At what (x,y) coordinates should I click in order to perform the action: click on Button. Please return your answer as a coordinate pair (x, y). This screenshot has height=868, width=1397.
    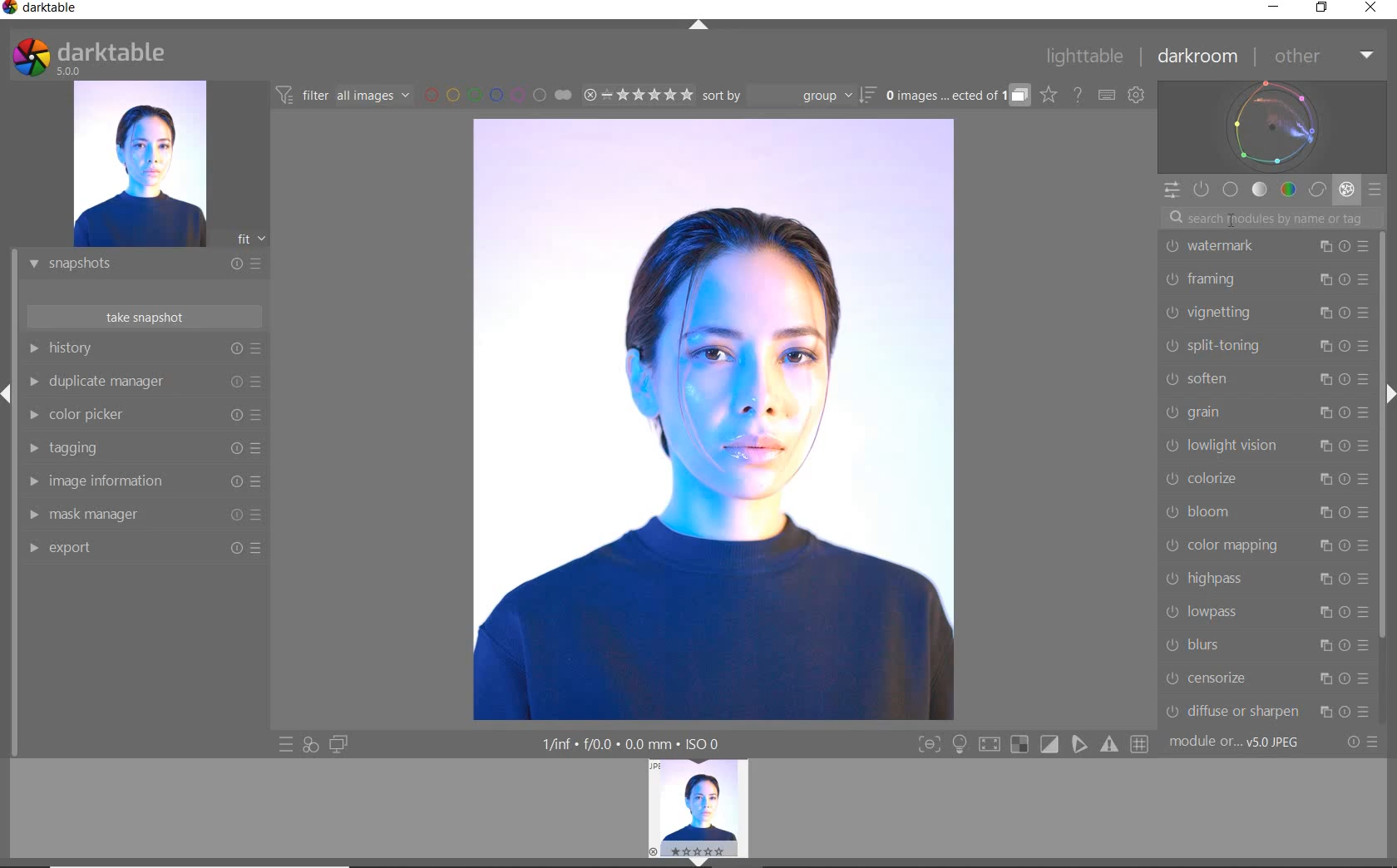
    Looking at the image, I should click on (989, 747).